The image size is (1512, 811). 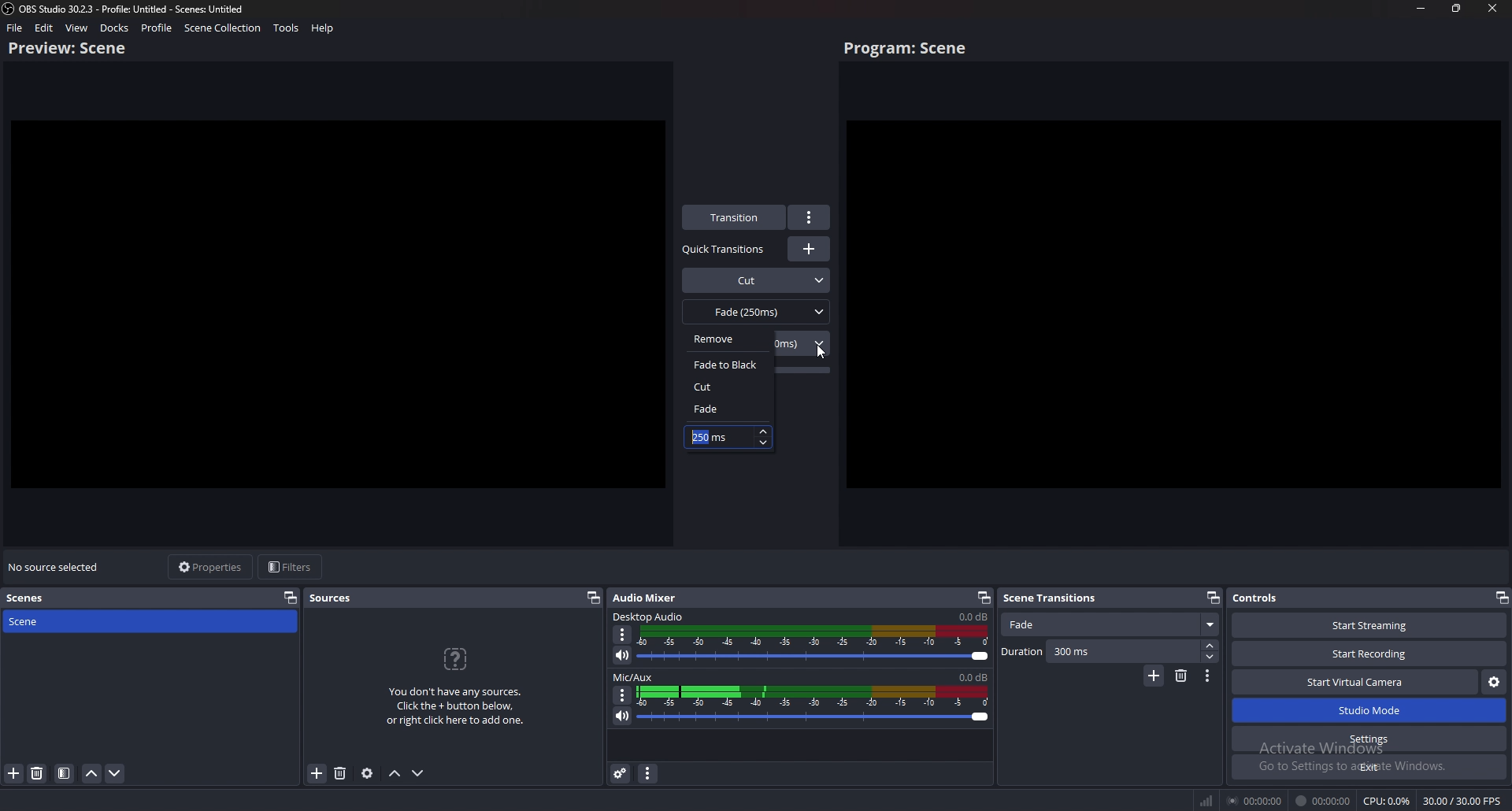 I want to click on Desktop audio, so click(x=650, y=616).